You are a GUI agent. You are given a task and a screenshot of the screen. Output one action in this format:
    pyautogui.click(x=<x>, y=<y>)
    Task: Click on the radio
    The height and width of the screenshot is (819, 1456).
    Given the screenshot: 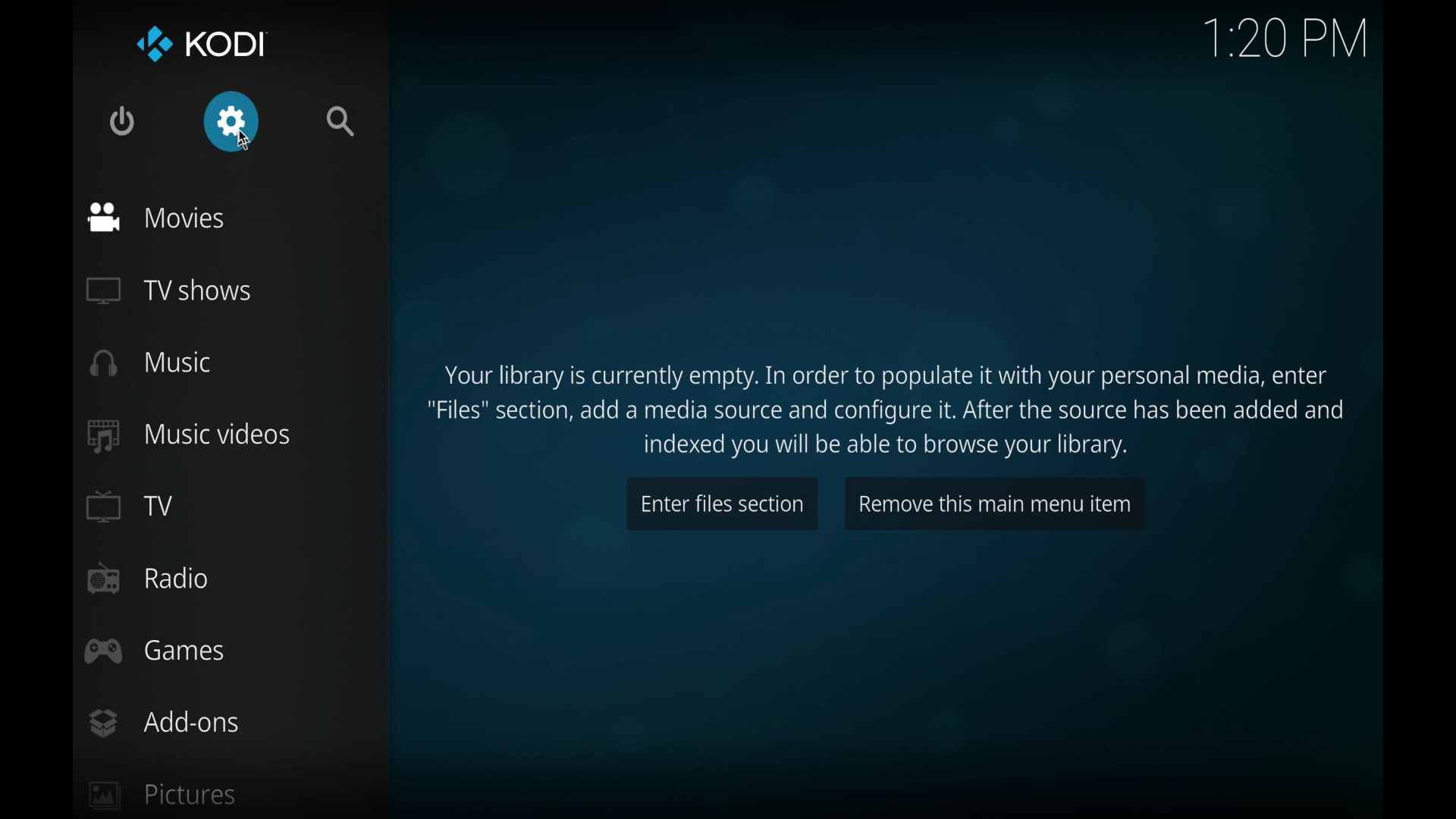 What is the action you would take?
    pyautogui.click(x=149, y=577)
    